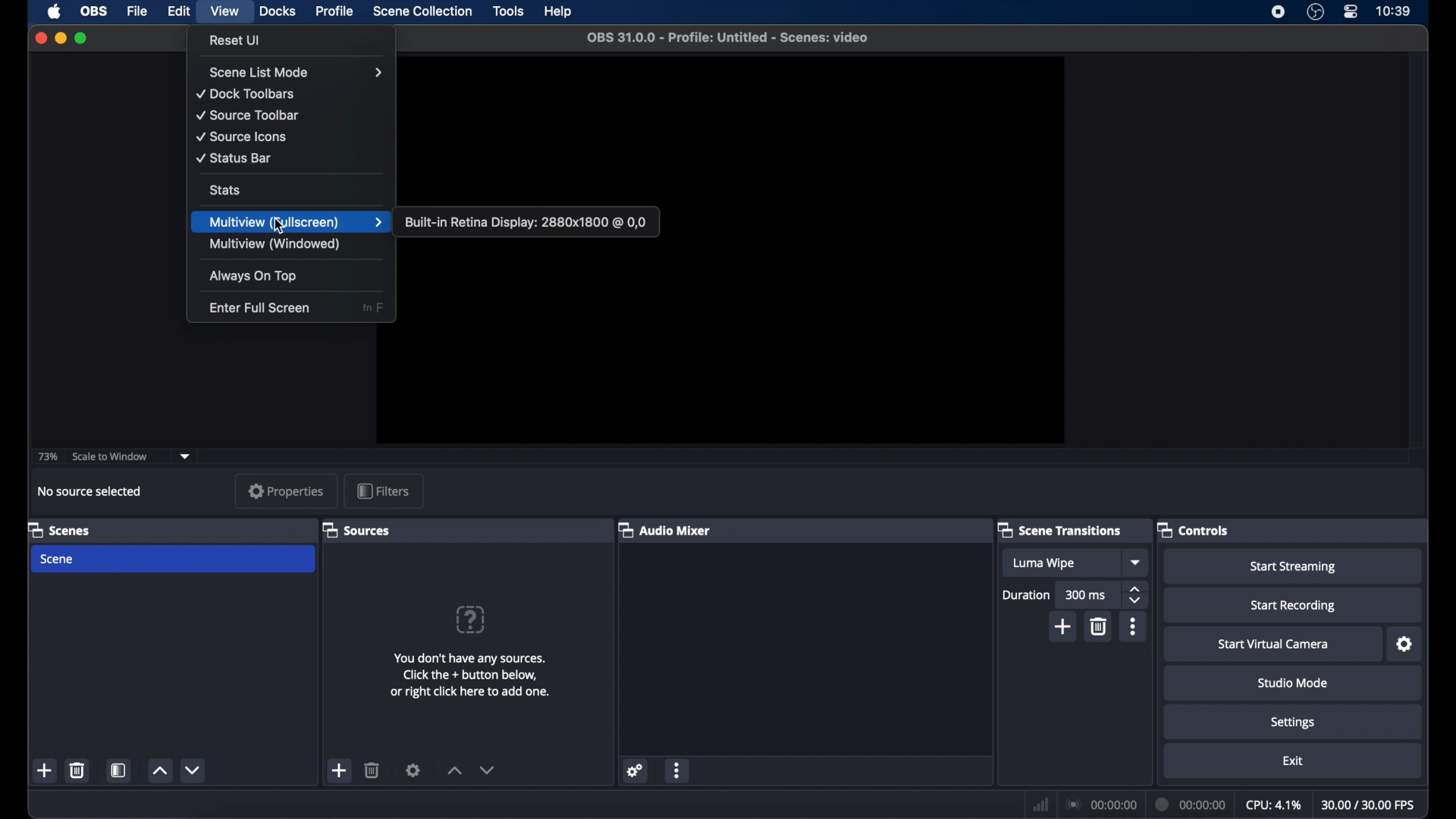 This screenshot has height=819, width=1456. Describe the element at coordinates (47, 457) in the screenshot. I see `73%` at that location.